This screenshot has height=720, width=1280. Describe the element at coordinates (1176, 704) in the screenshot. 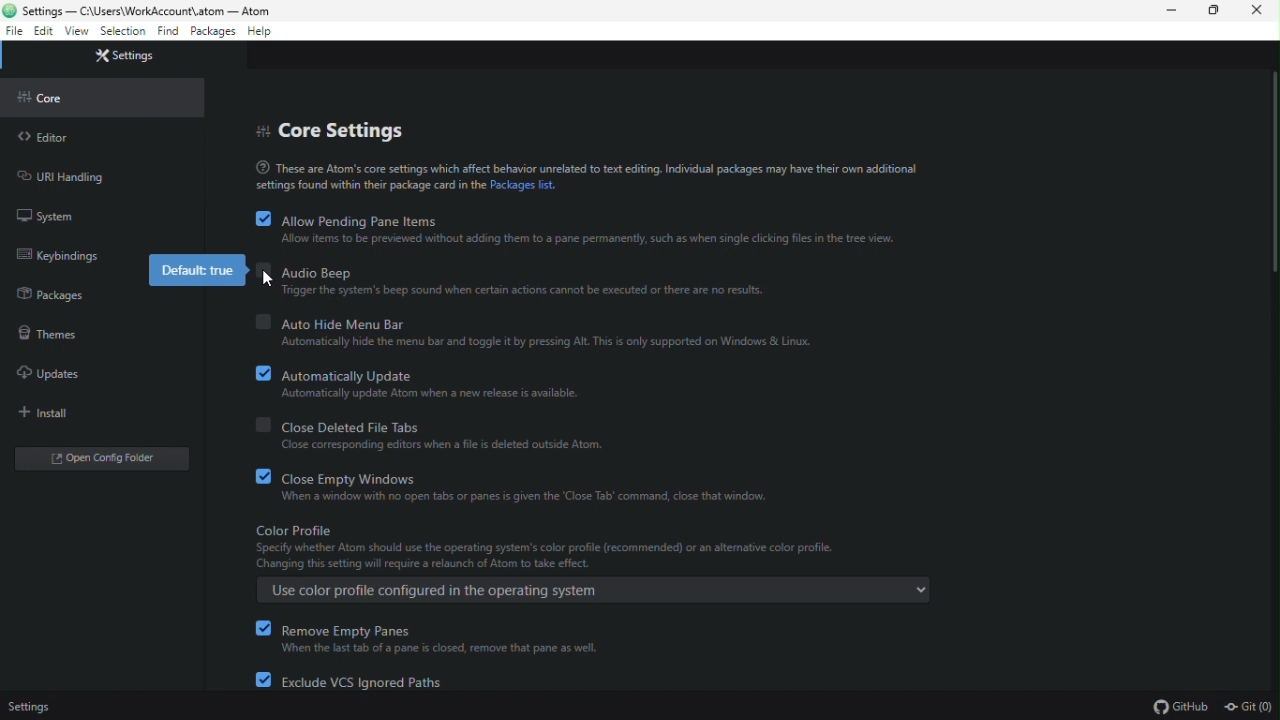

I see `GitHub` at that location.